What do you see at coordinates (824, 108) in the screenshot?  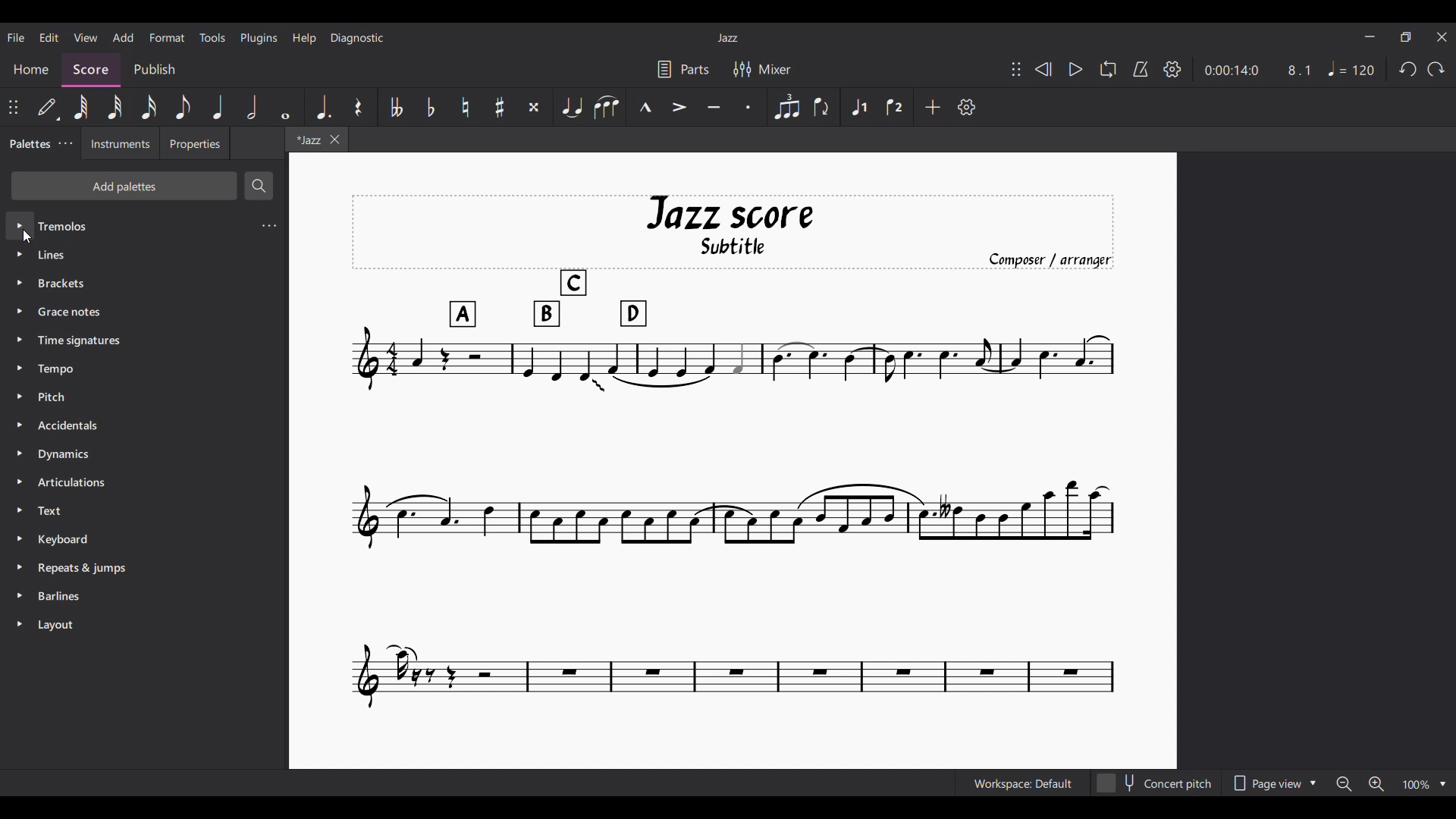 I see `Flip direction` at bounding box center [824, 108].